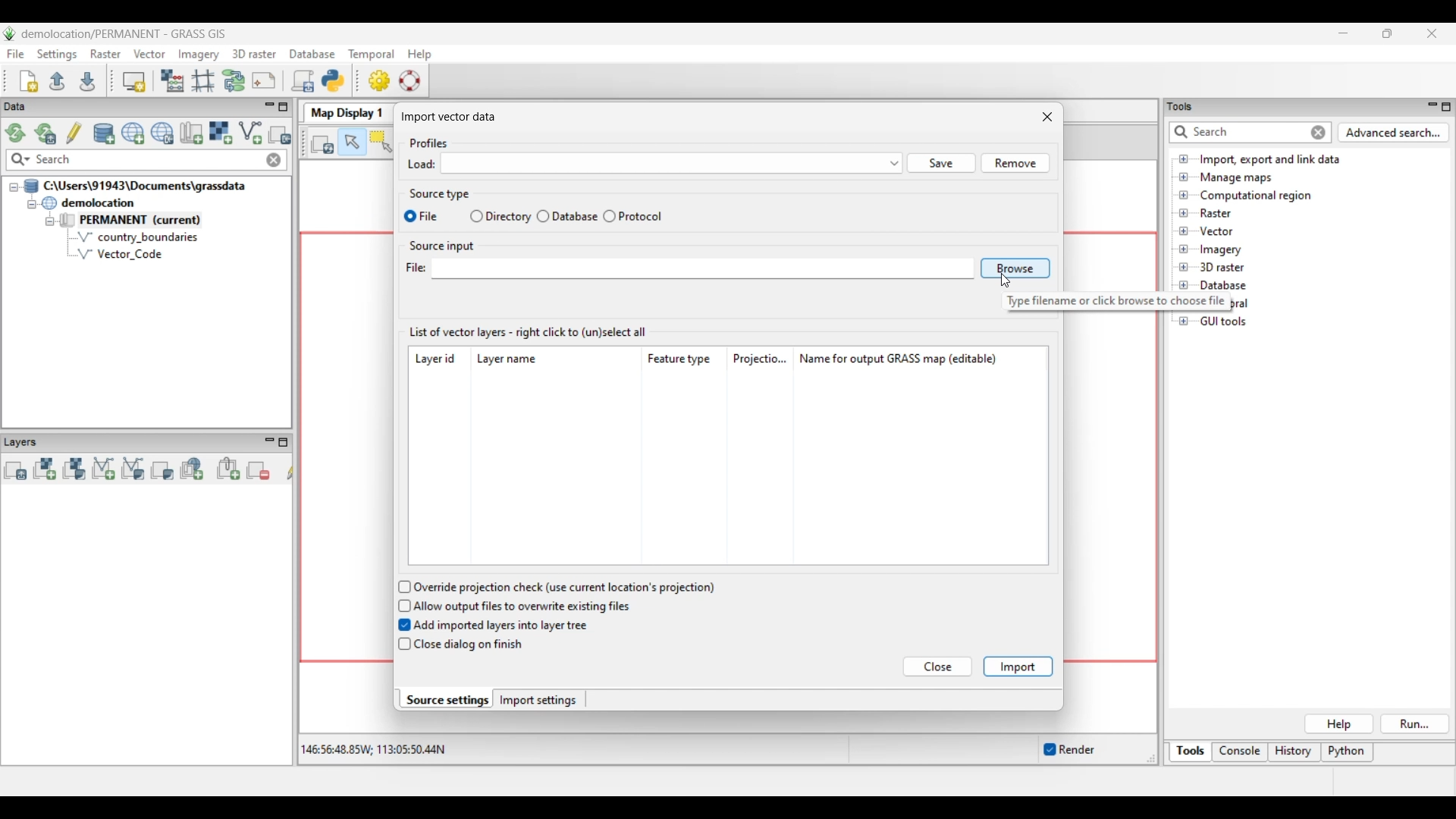  I want to click on Import, so click(1018, 667).